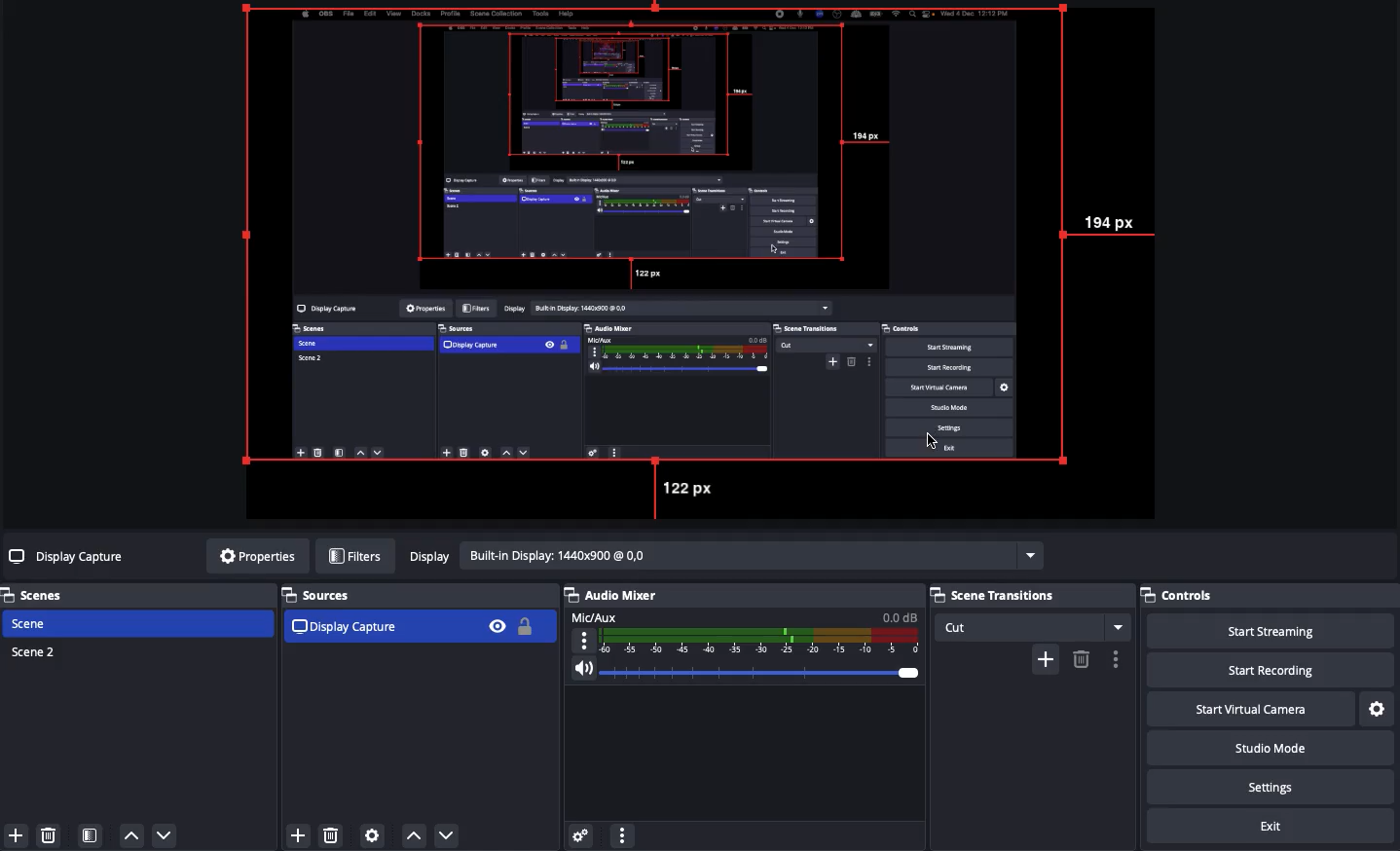  Describe the element at coordinates (131, 836) in the screenshot. I see `Move up` at that location.